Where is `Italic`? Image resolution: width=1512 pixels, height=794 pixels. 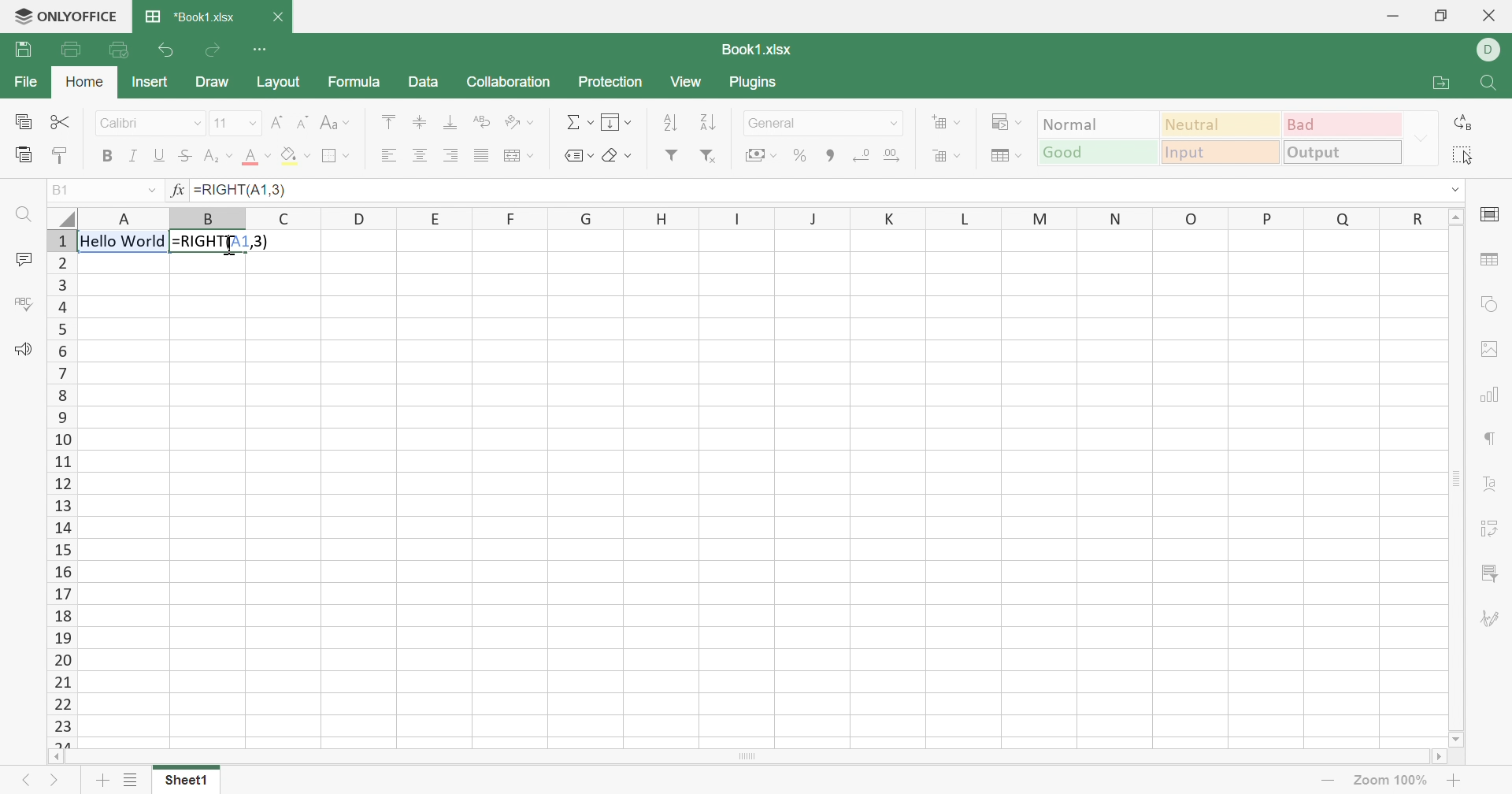 Italic is located at coordinates (133, 155).